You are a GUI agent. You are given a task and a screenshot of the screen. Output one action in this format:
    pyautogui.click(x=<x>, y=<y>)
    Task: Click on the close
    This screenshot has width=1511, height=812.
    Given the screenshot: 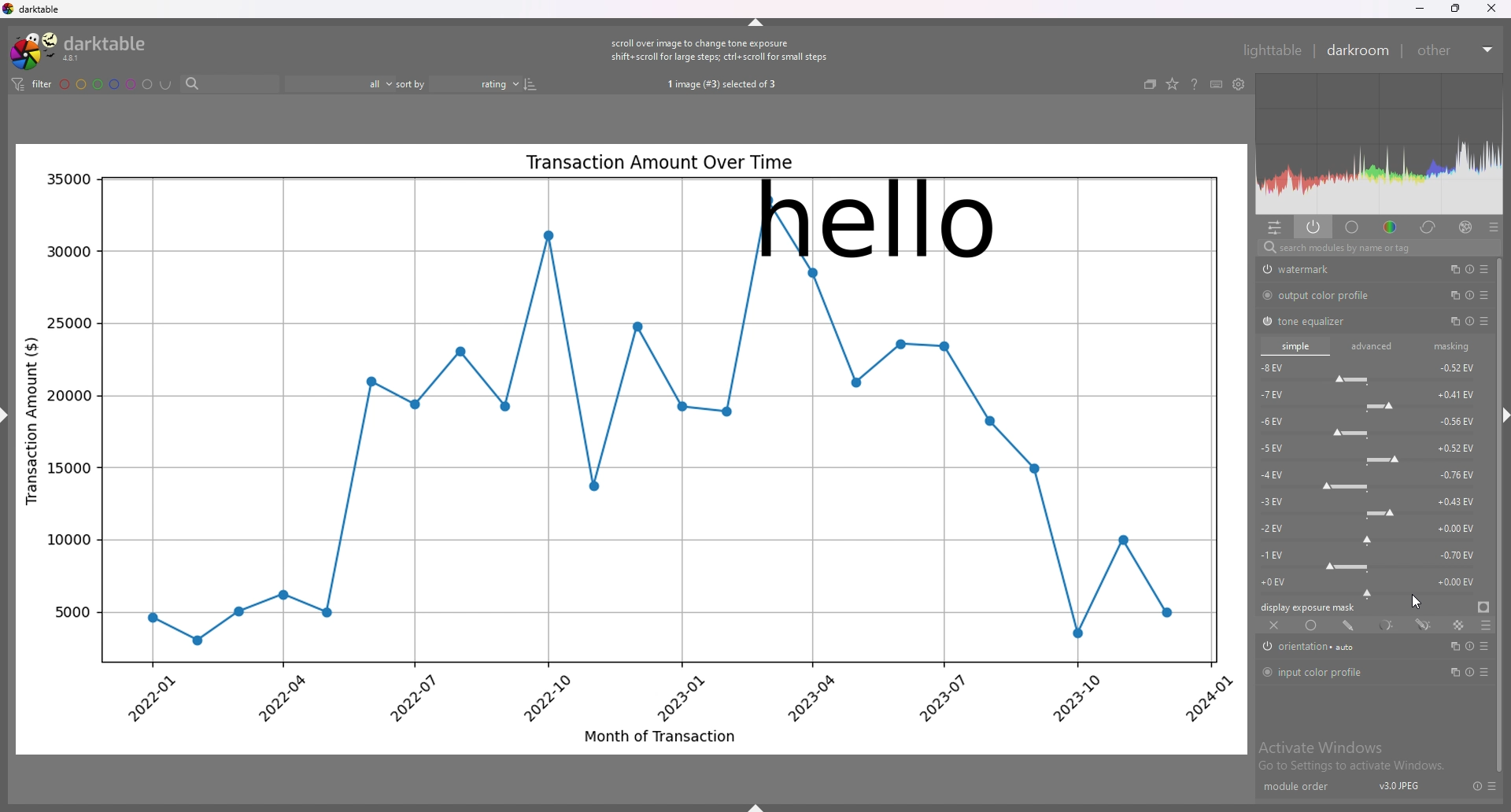 What is the action you would take?
    pyautogui.click(x=1490, y=8)
    